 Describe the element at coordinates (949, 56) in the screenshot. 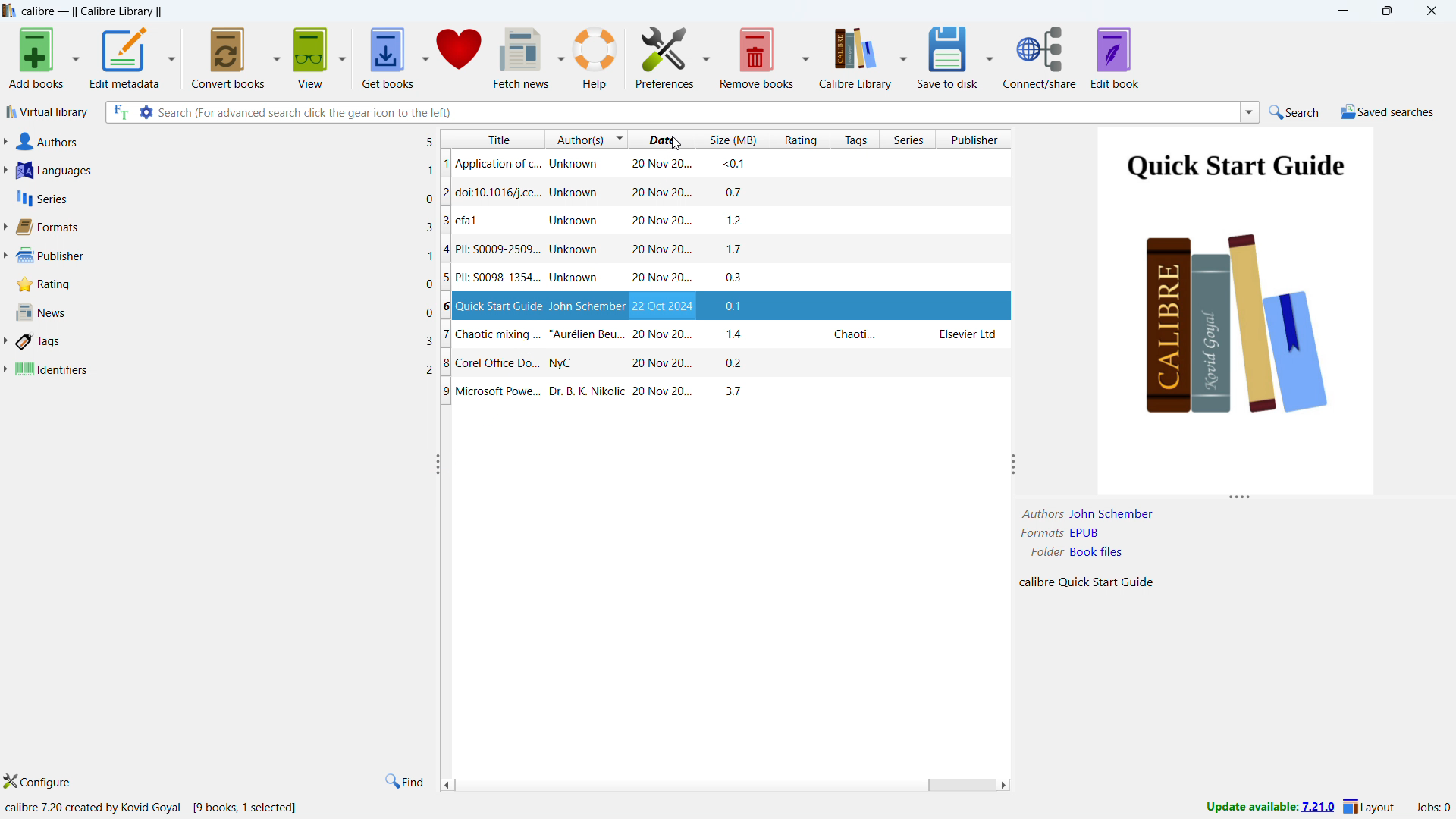

I see `save to disk` at that location.